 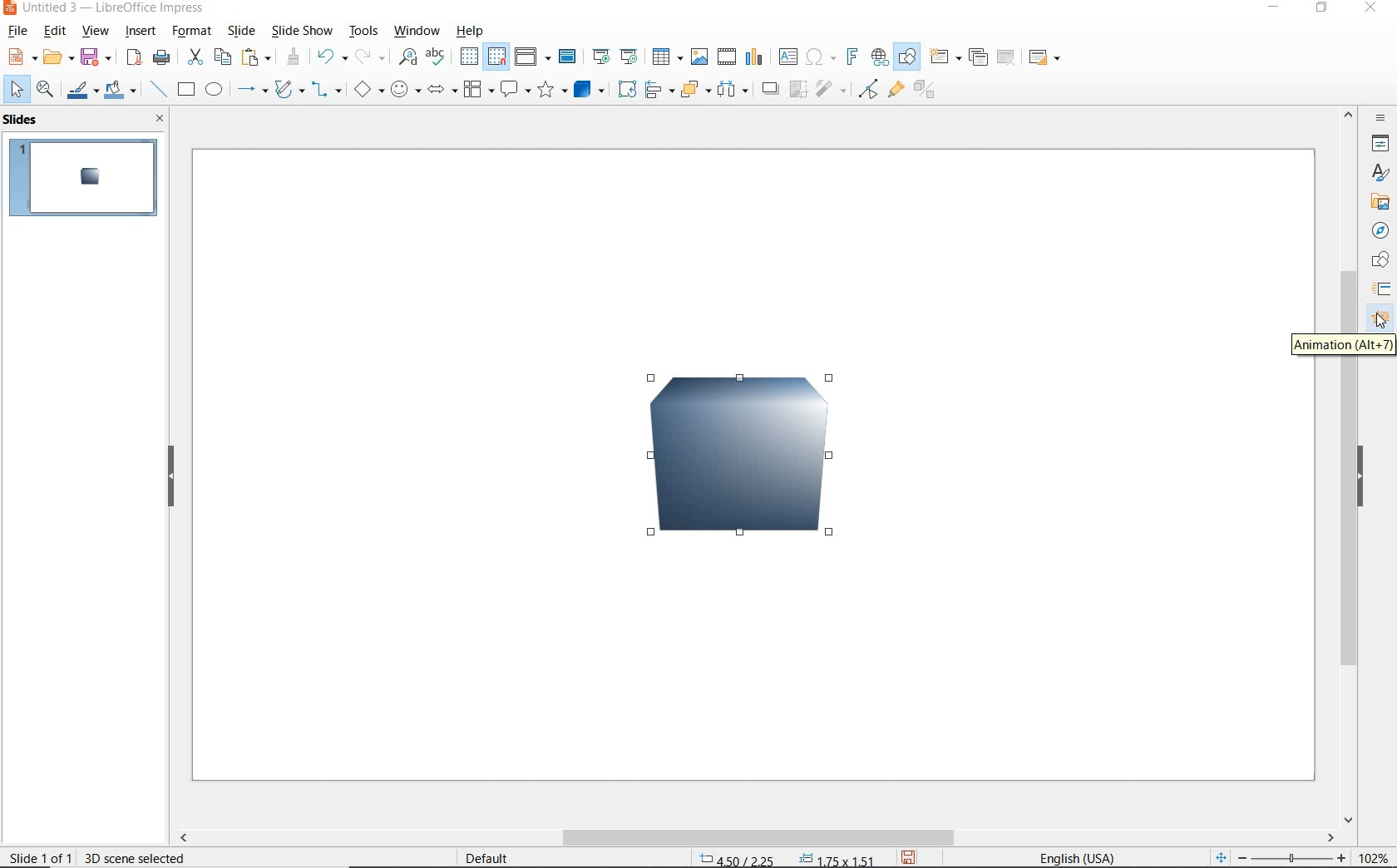 I want to click on toggle extrusion, so click(x=927, y=92).